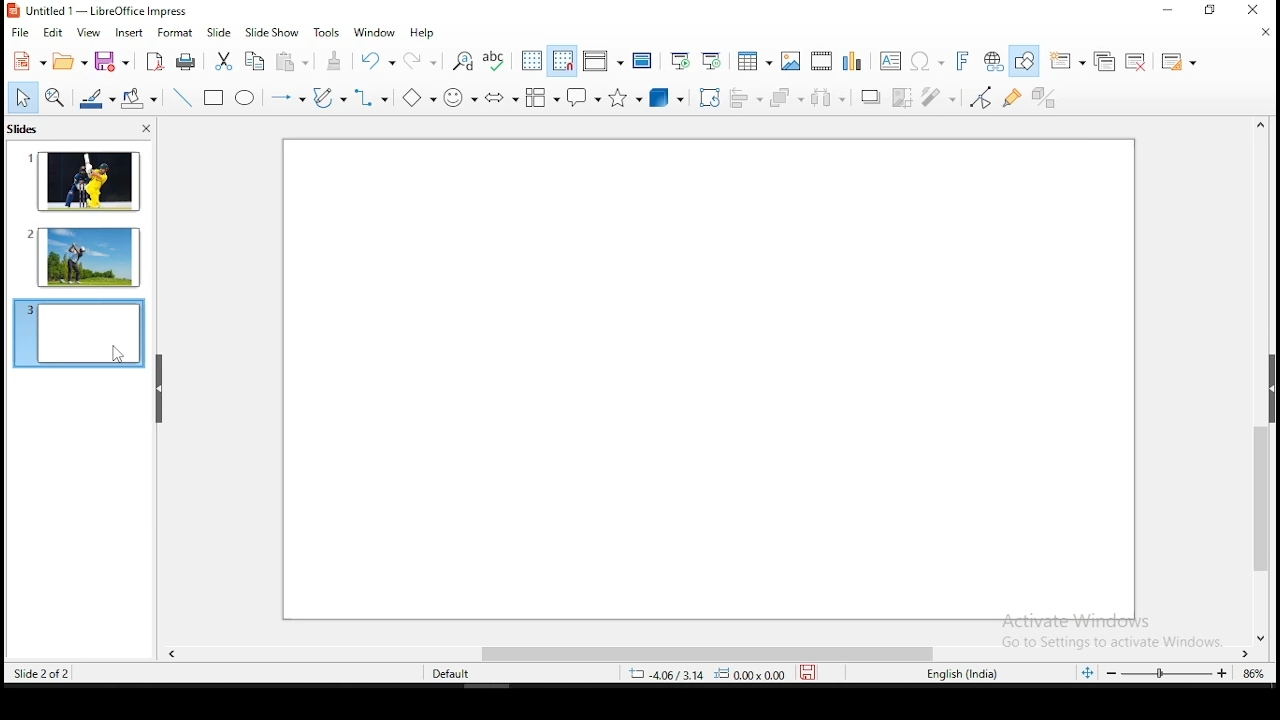 Image resolution: width=1280 pixels, height=720 pixels. I want to click on insert, so click(128, 35).